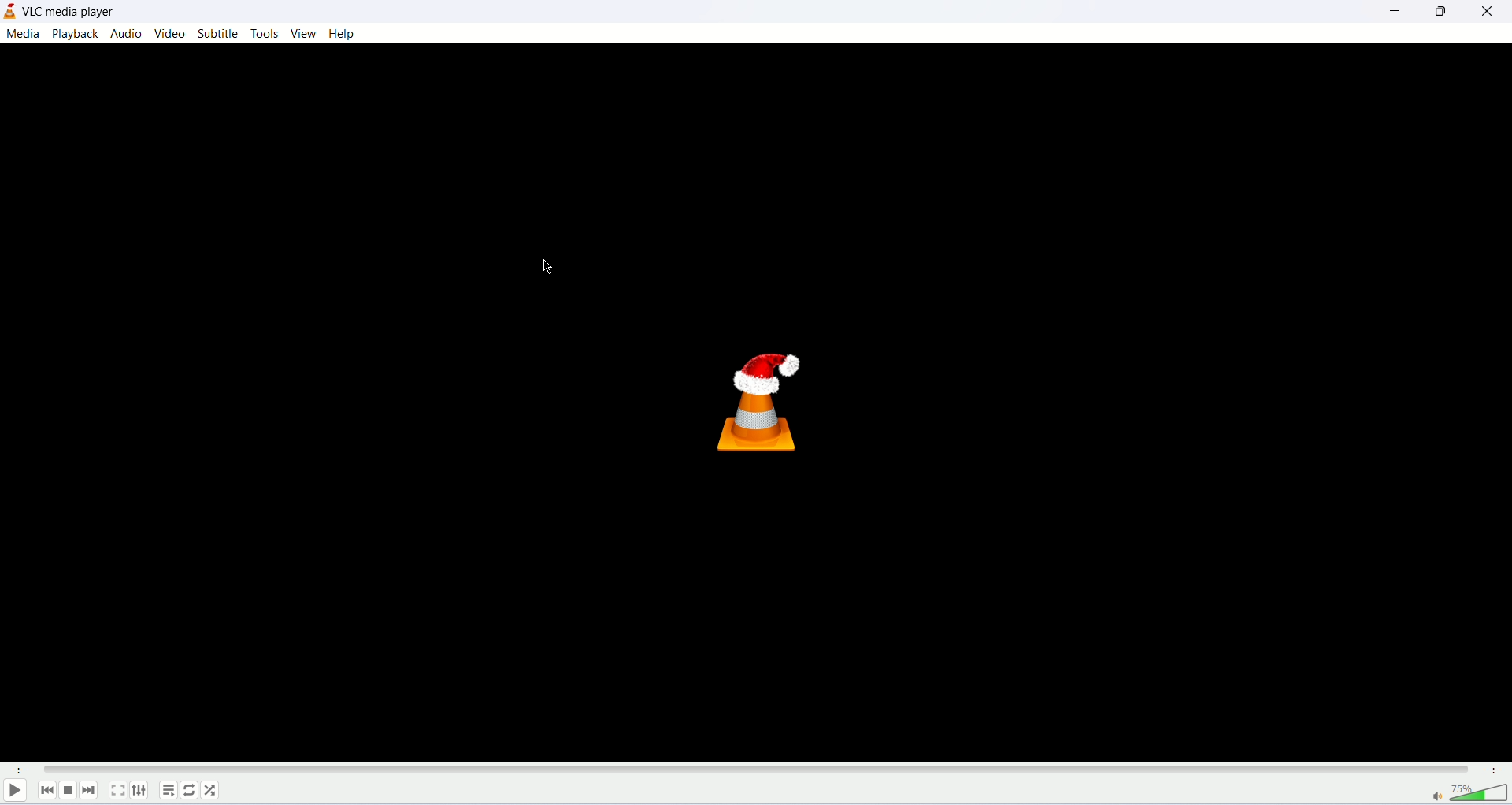 Image resolution: width=1512 pixels, height=805 pixels. I want to click on tools, so click(265, 34).